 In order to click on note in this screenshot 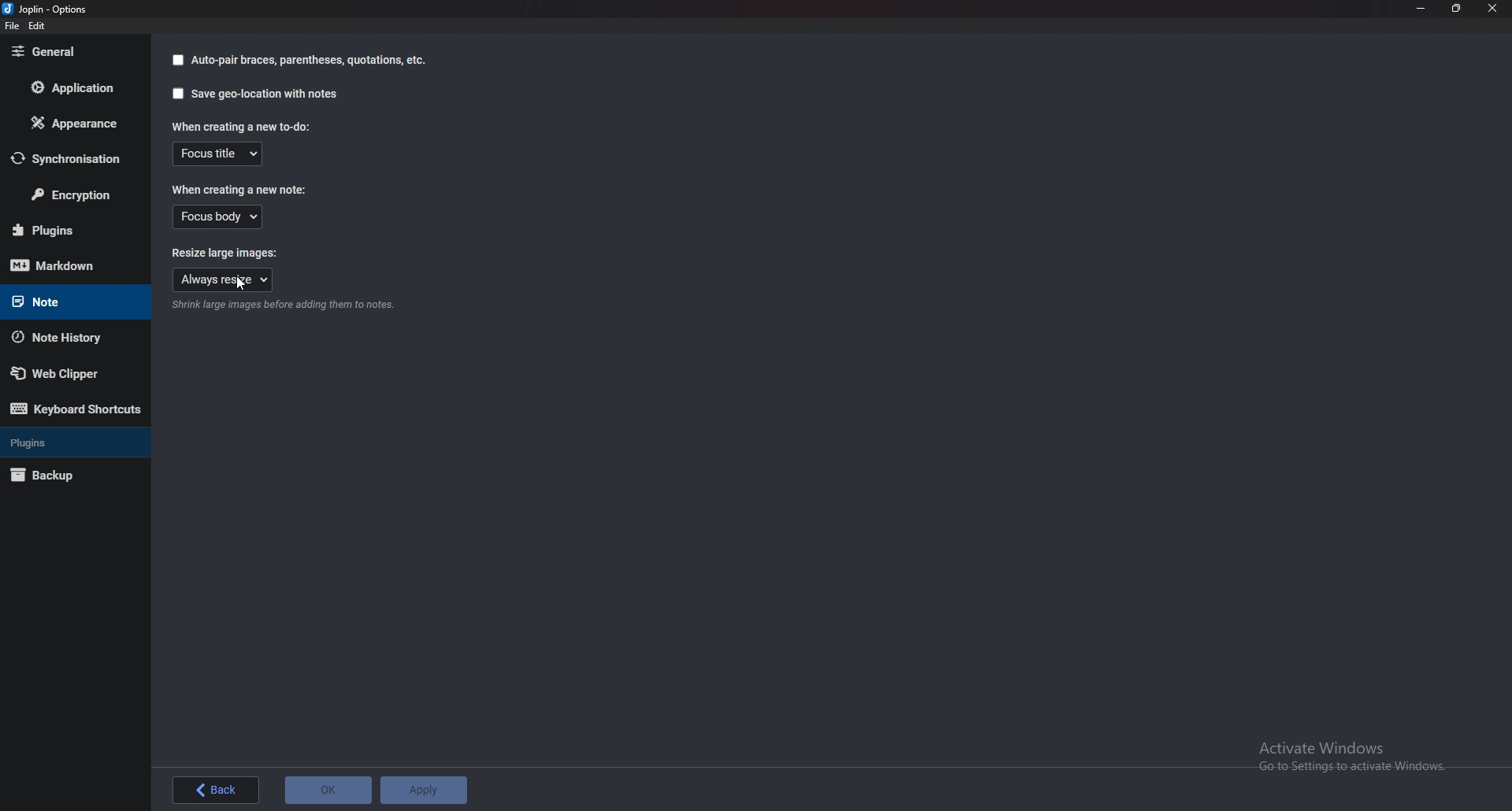, I will do `click(64, 300)`.